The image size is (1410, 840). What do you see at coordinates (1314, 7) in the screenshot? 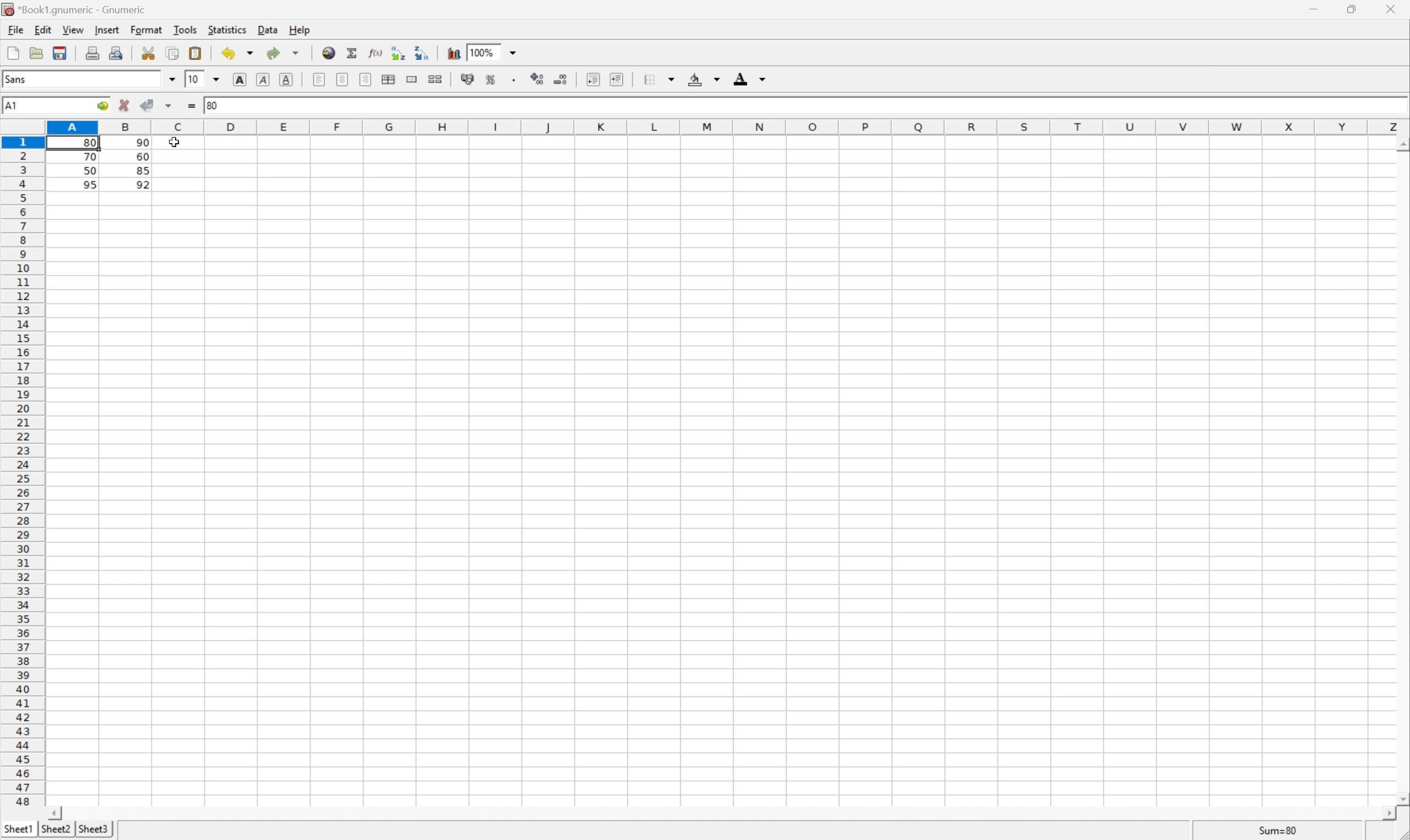
I see `Minimize` at bounding box center [1314, 7].